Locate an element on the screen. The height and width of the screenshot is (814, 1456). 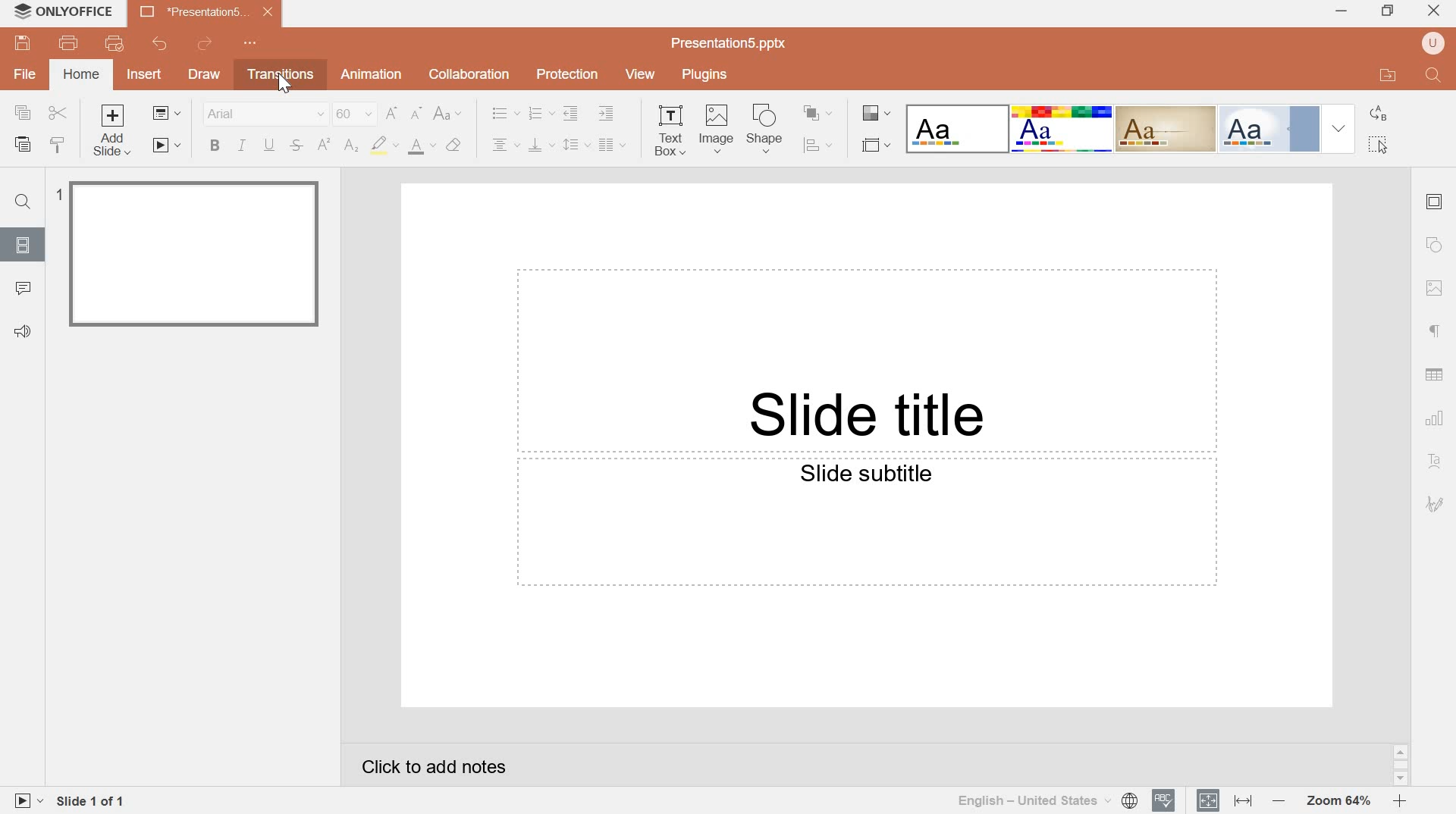
background color styles is located at coordinates (1129, 128).